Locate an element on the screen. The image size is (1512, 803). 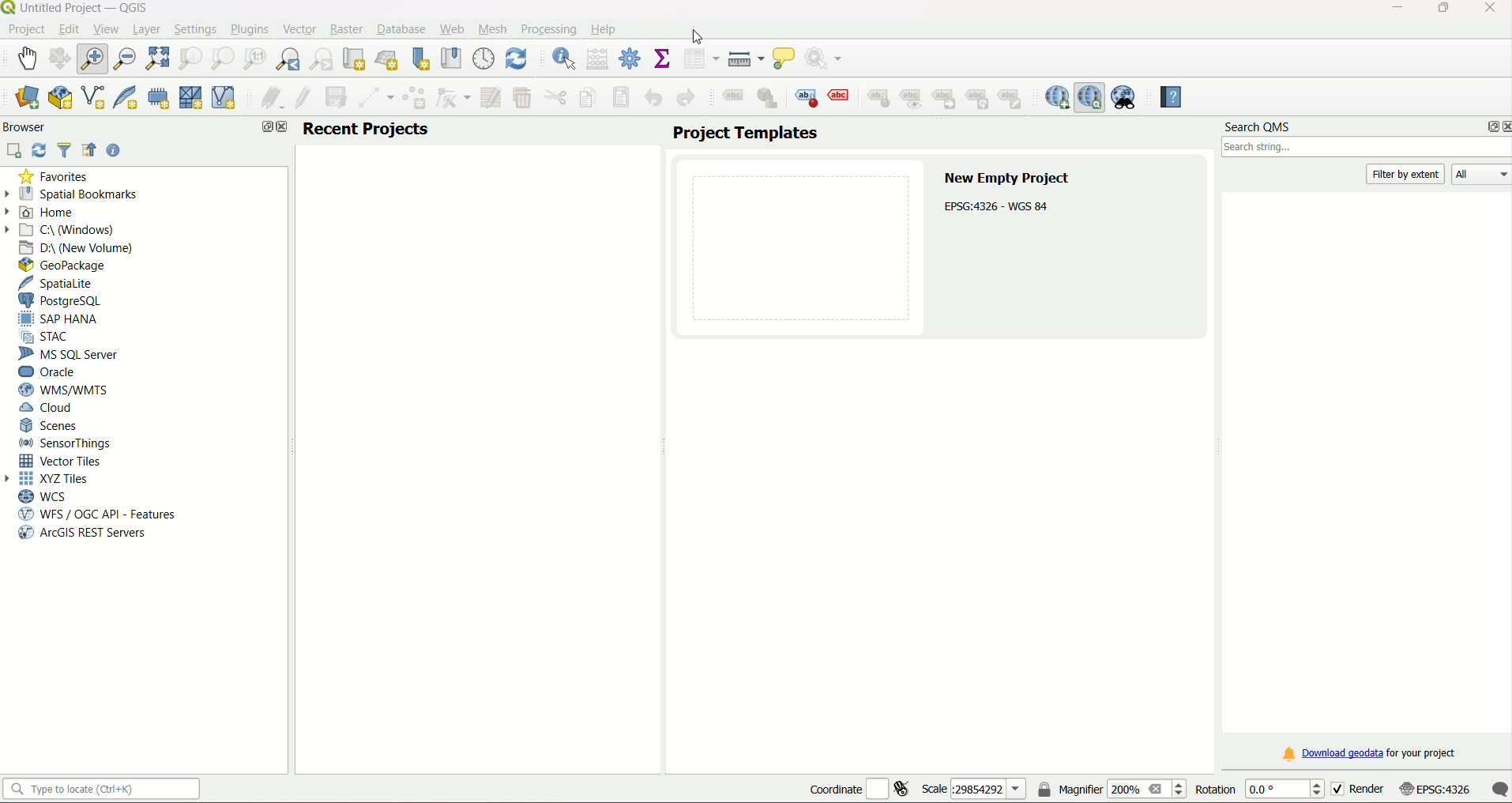
identify features is located at coordinates (559, 58).